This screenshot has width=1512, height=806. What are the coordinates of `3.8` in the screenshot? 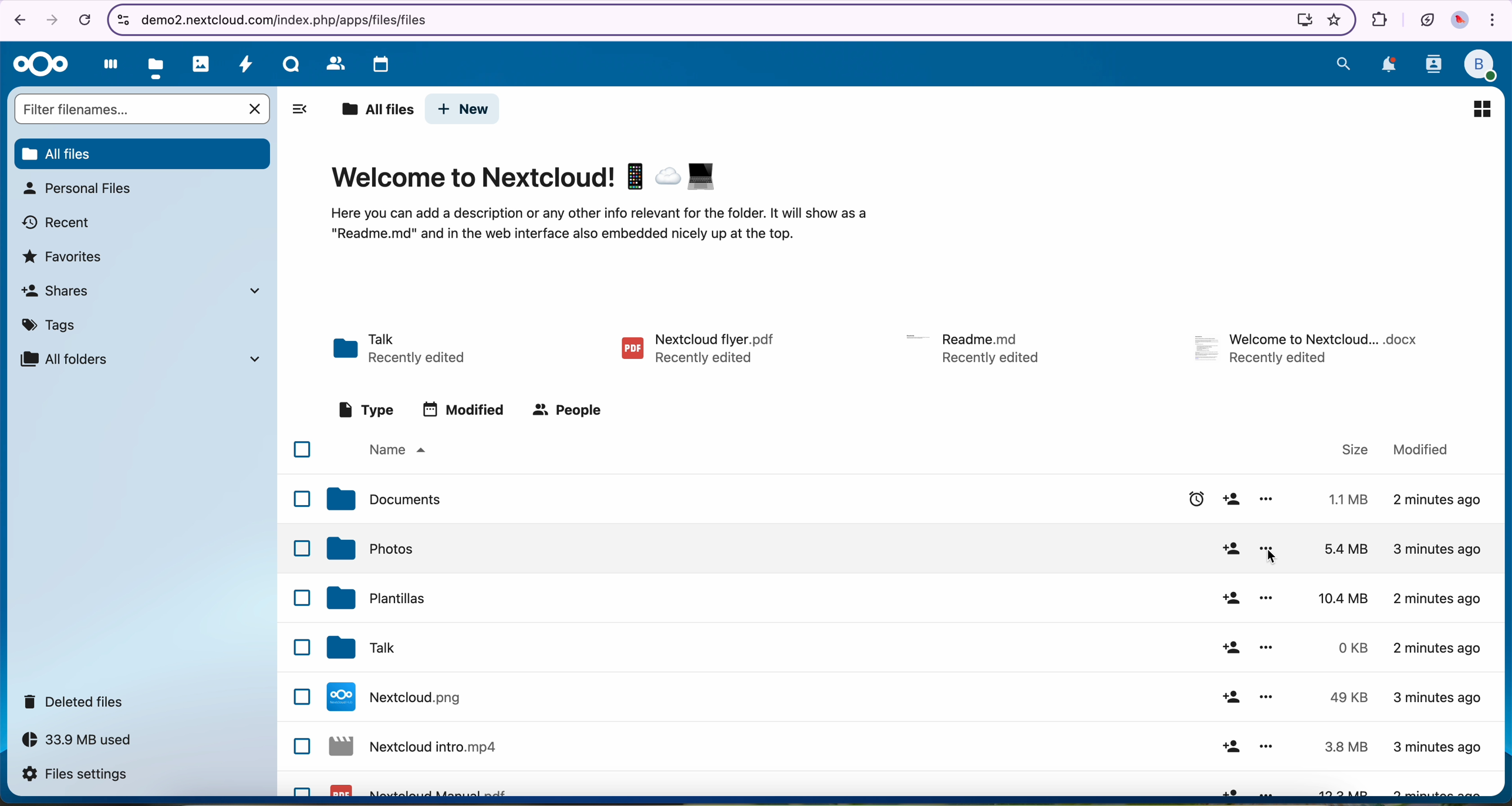 It's located at (1346, 747).